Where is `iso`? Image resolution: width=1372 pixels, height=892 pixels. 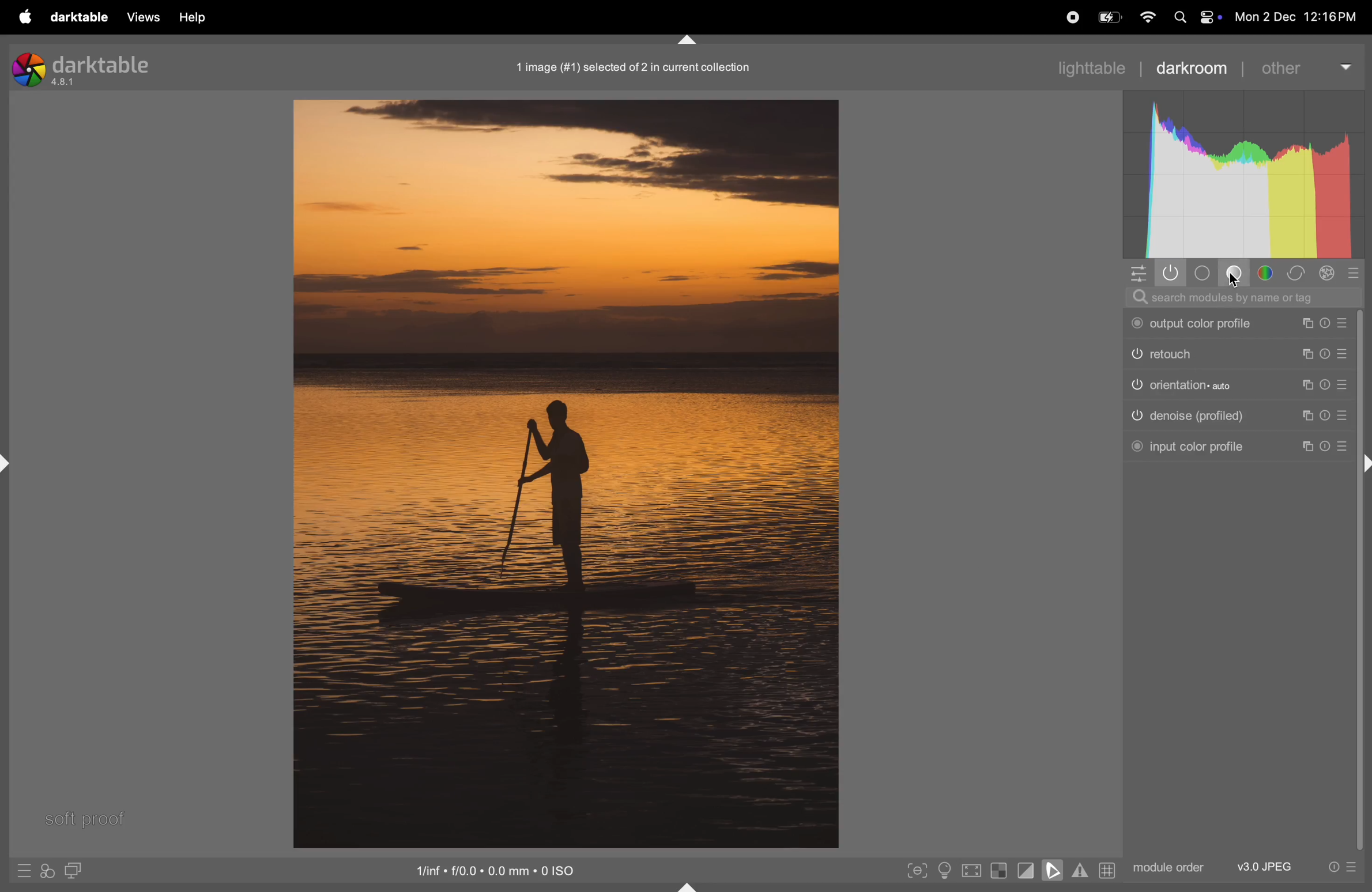
iso is located at coordinates (499, 869).